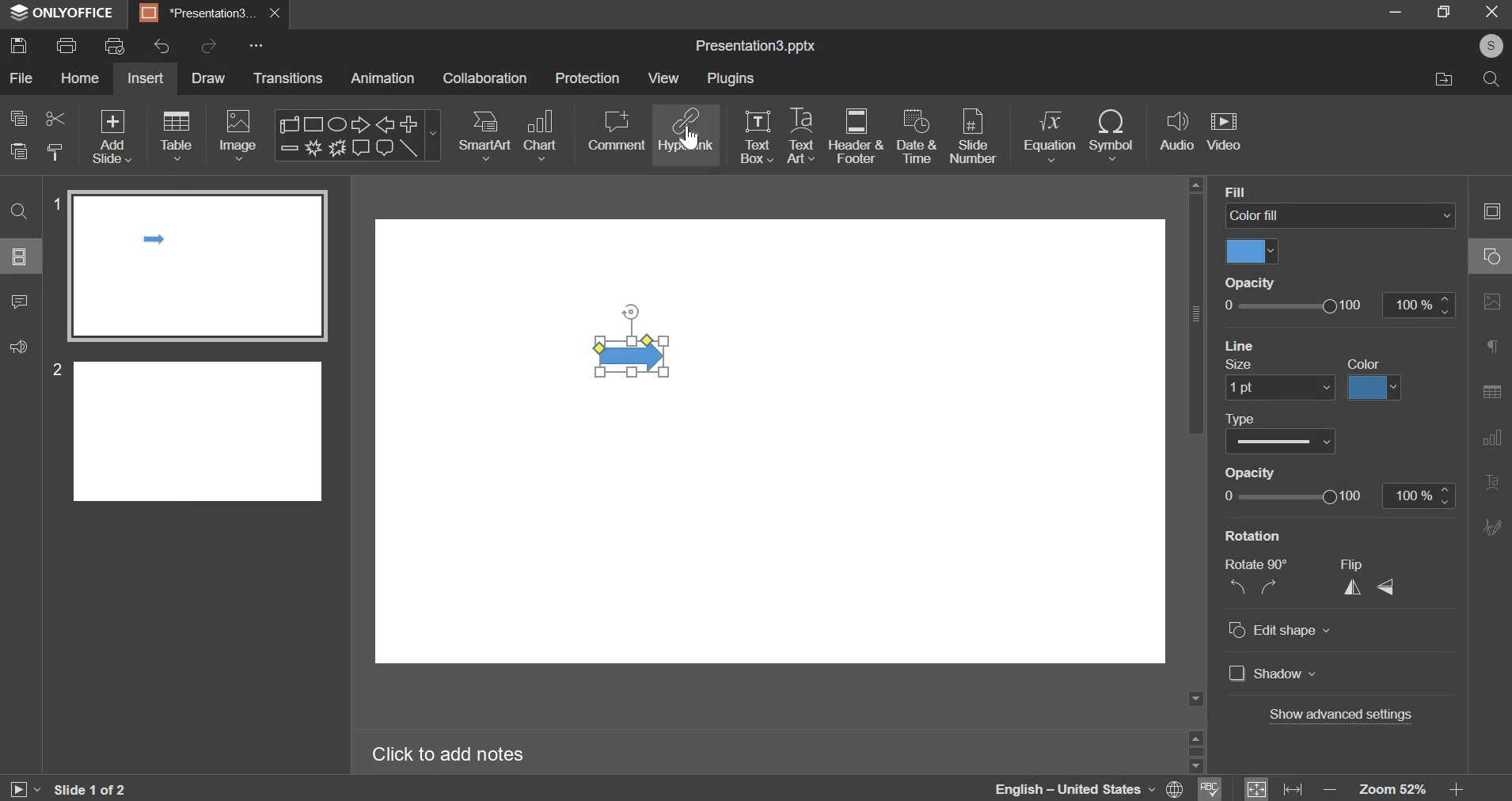  I want to click on animation, so click(382, 78).